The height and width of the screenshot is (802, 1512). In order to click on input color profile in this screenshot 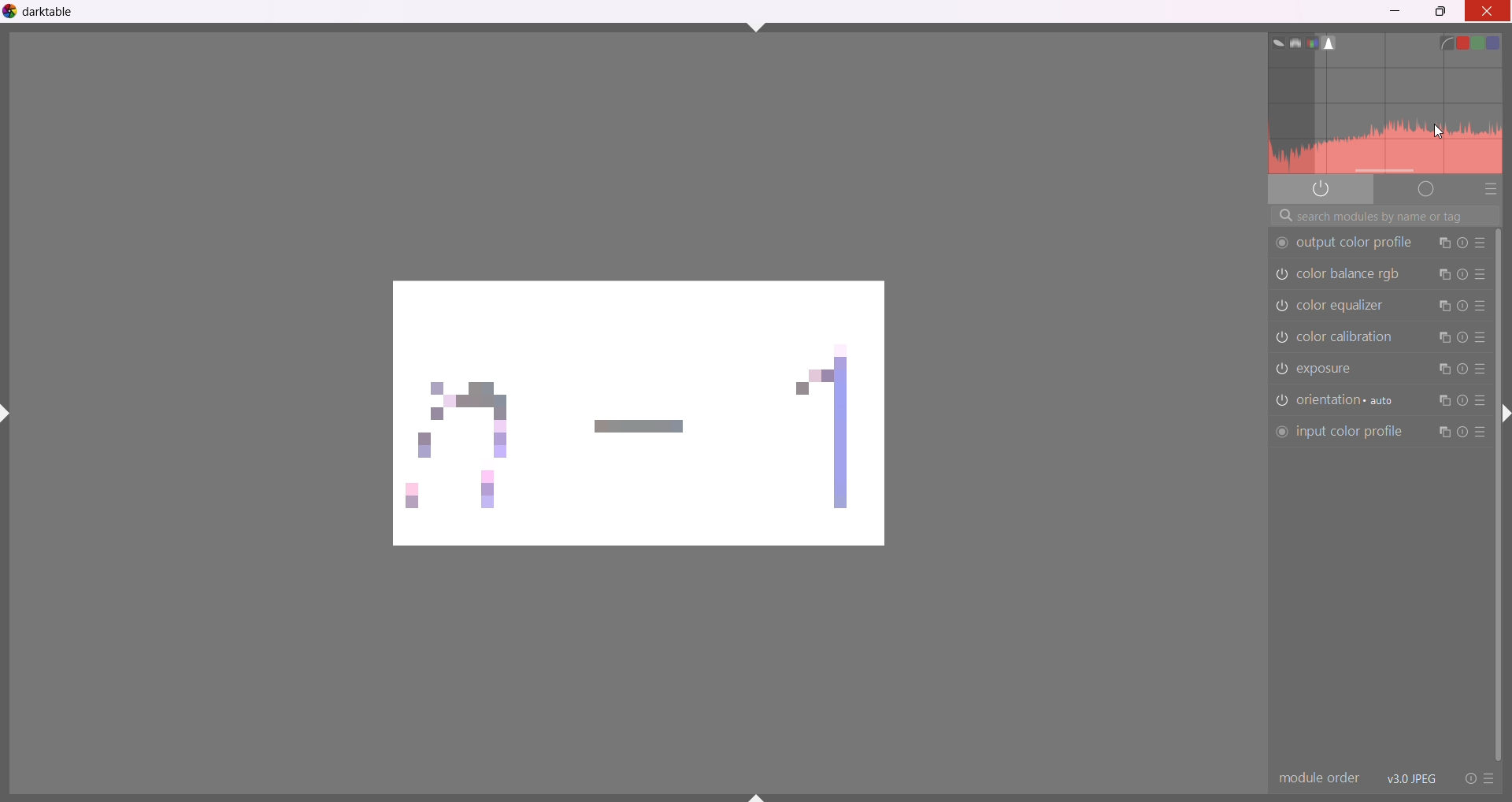, I will do `click(1338, 433)`.